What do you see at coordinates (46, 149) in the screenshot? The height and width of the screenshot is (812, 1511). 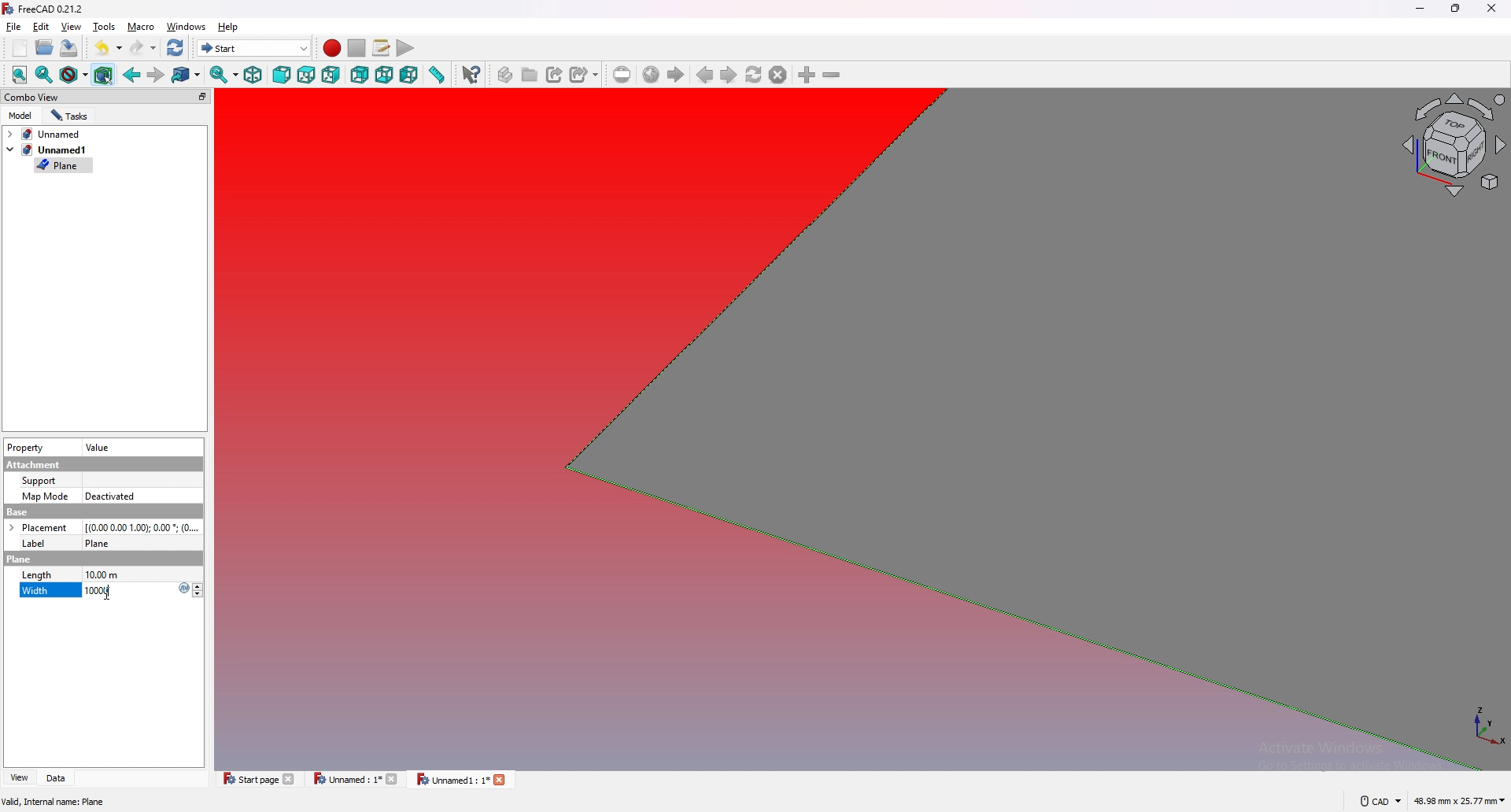 I see `tab2: unnamed1` at bounding box center [46, 149].